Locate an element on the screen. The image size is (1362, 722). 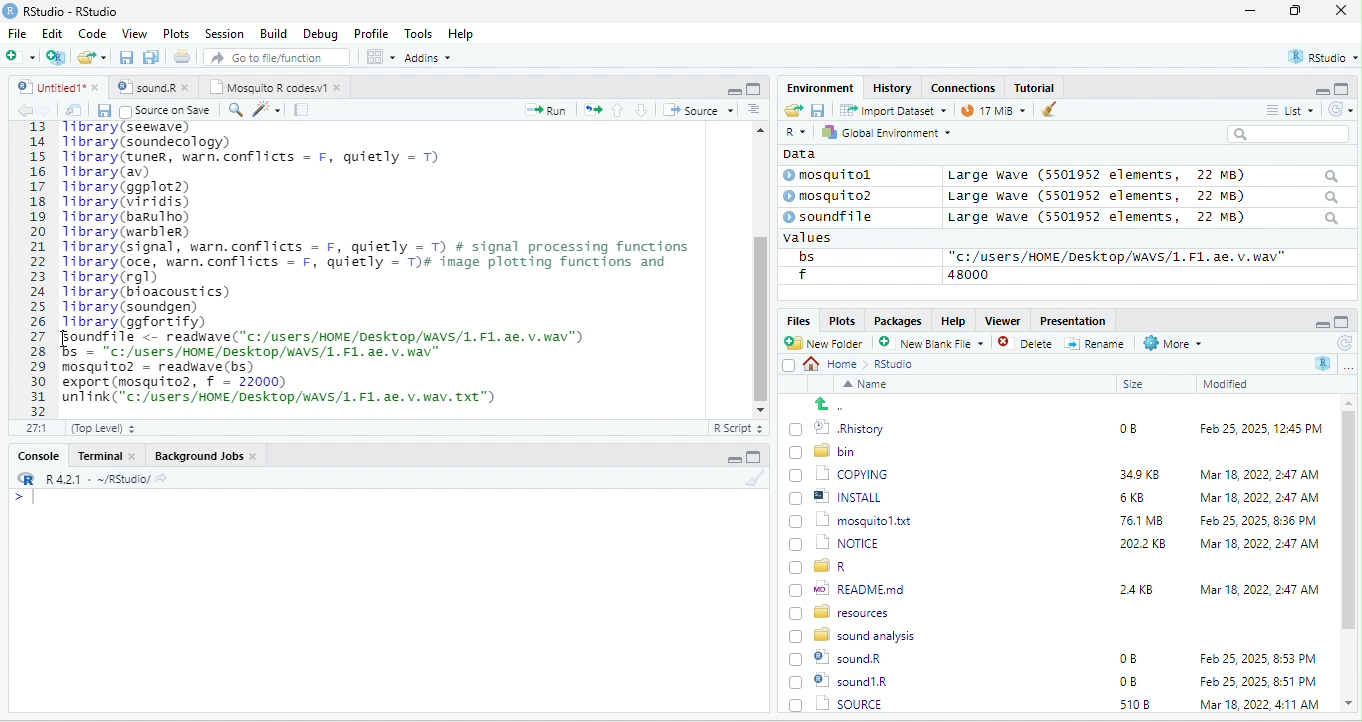
source on Save is located at coordinates (167, 112).